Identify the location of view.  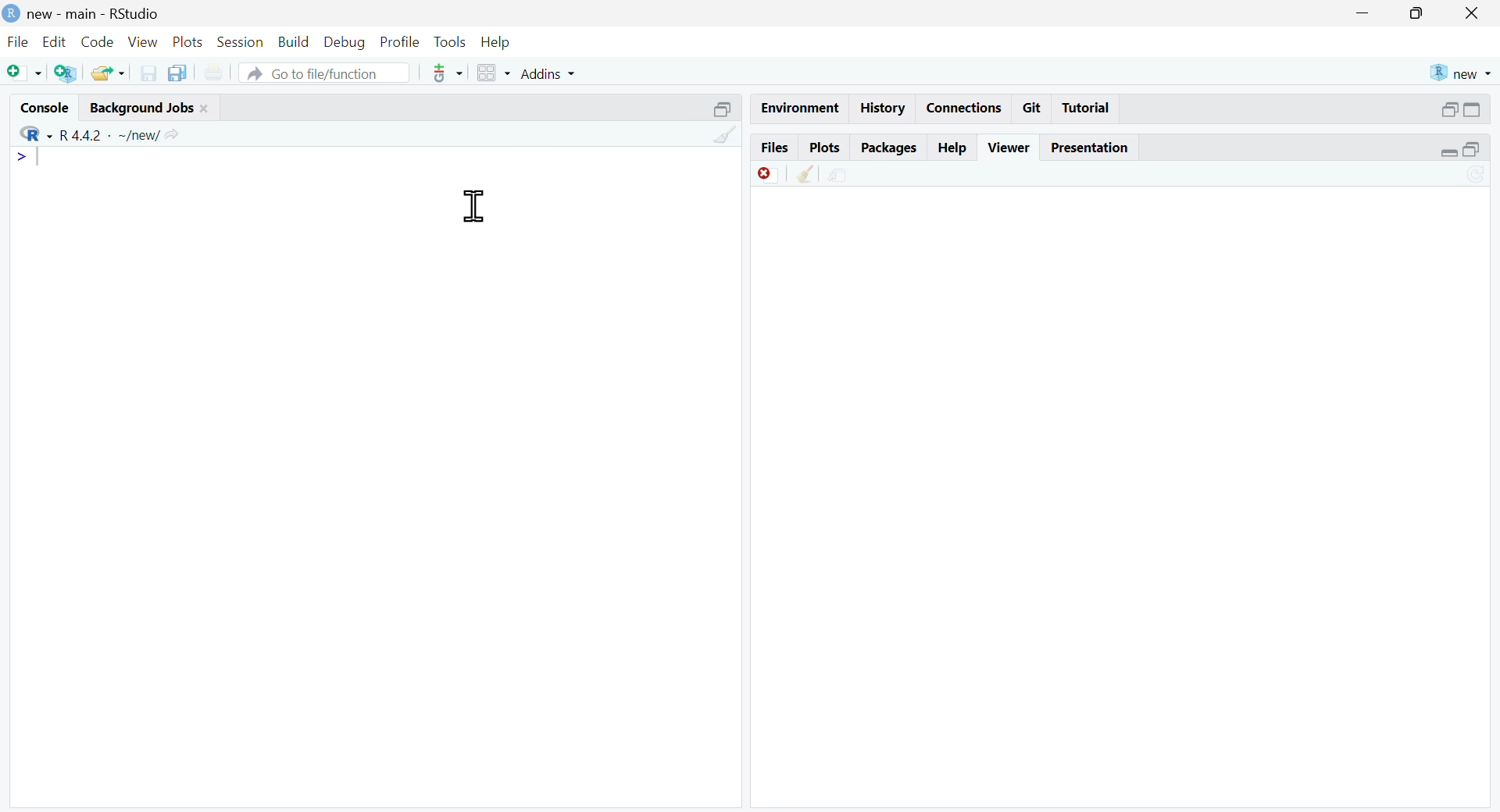
(144, 42).